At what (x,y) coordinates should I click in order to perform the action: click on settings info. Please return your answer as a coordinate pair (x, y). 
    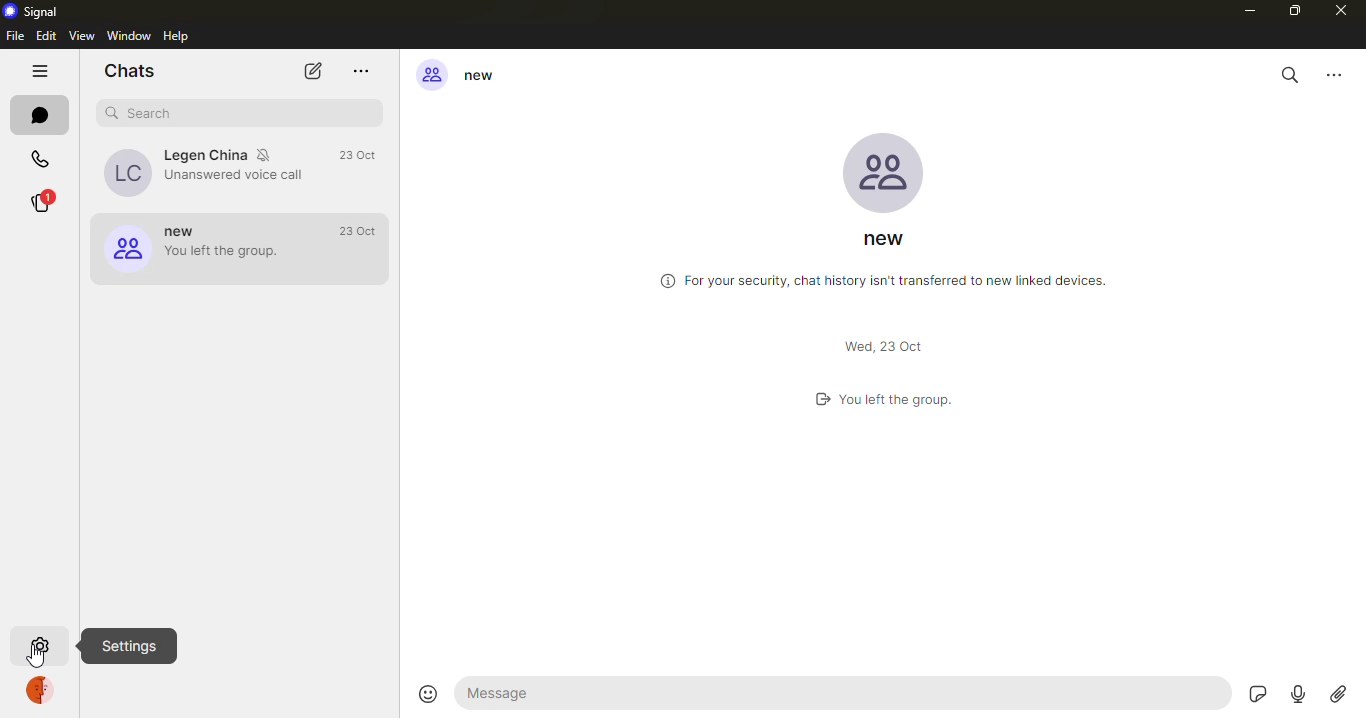
    Looking at the image, I should click on (129, 646).